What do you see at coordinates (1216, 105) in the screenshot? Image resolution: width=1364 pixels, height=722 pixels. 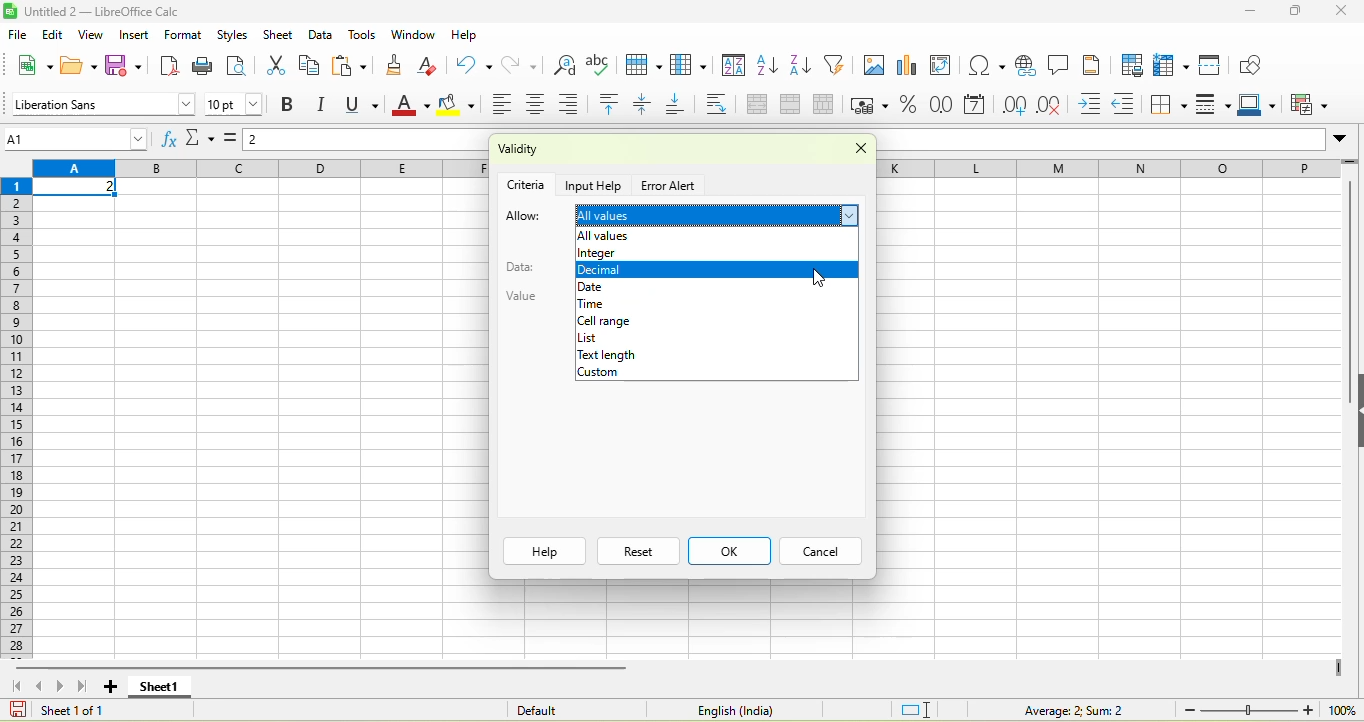 I see `border style` at bounding box center [1216, 105].